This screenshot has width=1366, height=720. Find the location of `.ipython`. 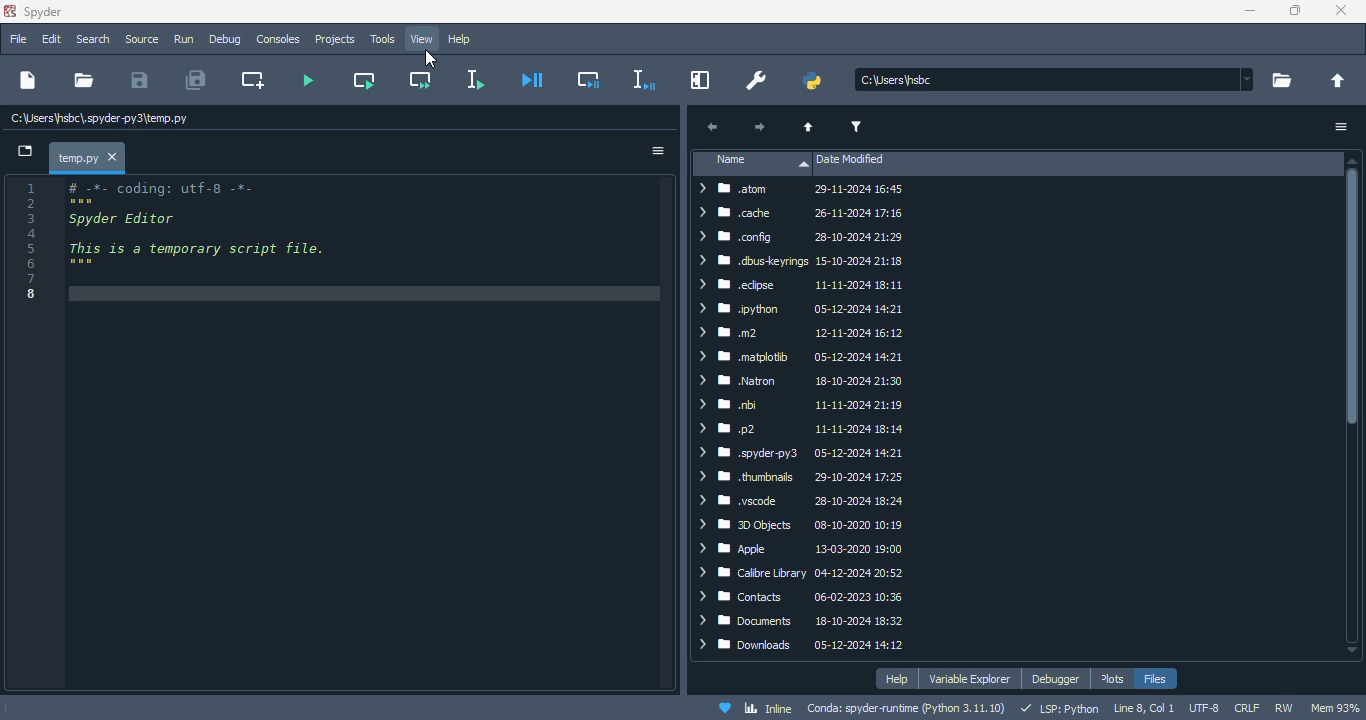

.ipython is located at coordinates (801, 310).